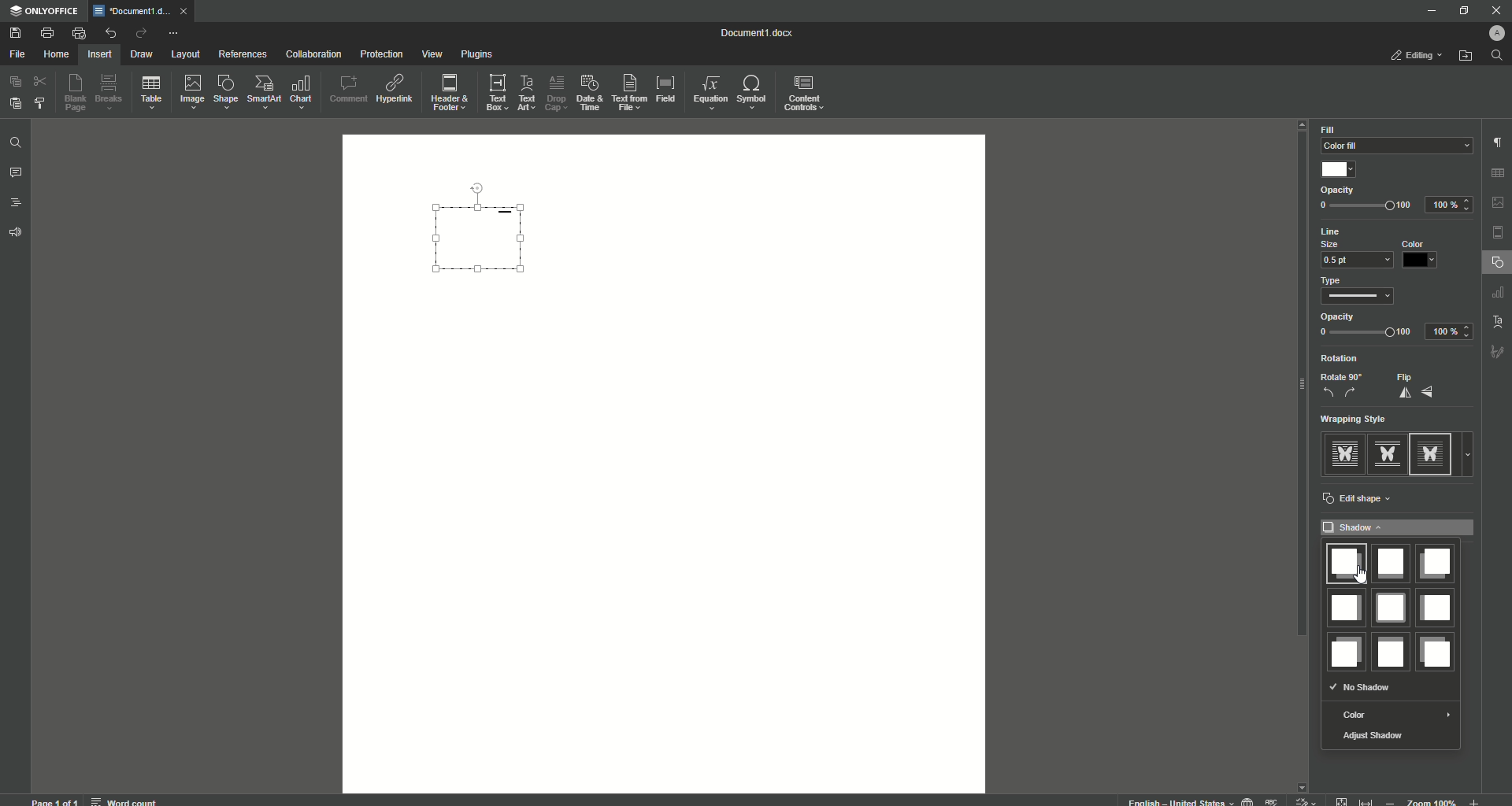 The image size is (1512, 806). What do you see at coordinates (554, 90) in the screenshot?
I see `Drop Cap` at bounding box center [554, 90].